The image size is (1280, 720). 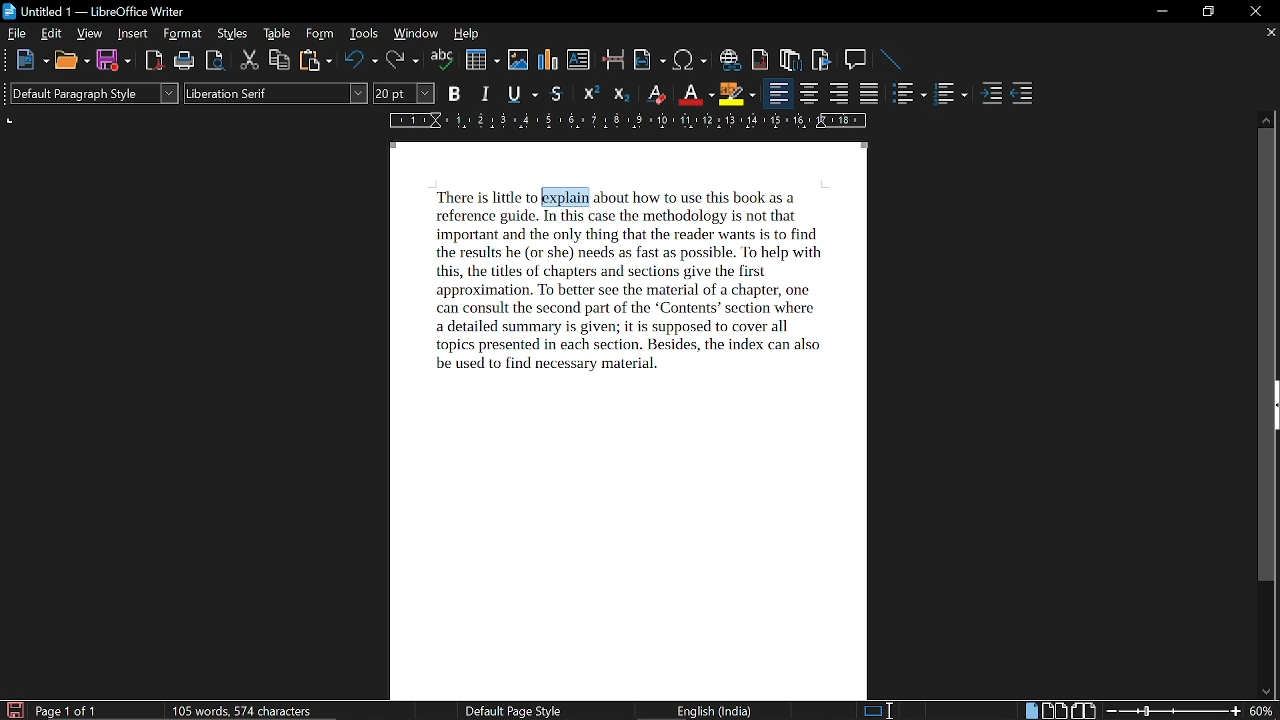 What do you see at coordinates (416, 35) in the screenshot?
I see `window` at bounding box center [416, 35].